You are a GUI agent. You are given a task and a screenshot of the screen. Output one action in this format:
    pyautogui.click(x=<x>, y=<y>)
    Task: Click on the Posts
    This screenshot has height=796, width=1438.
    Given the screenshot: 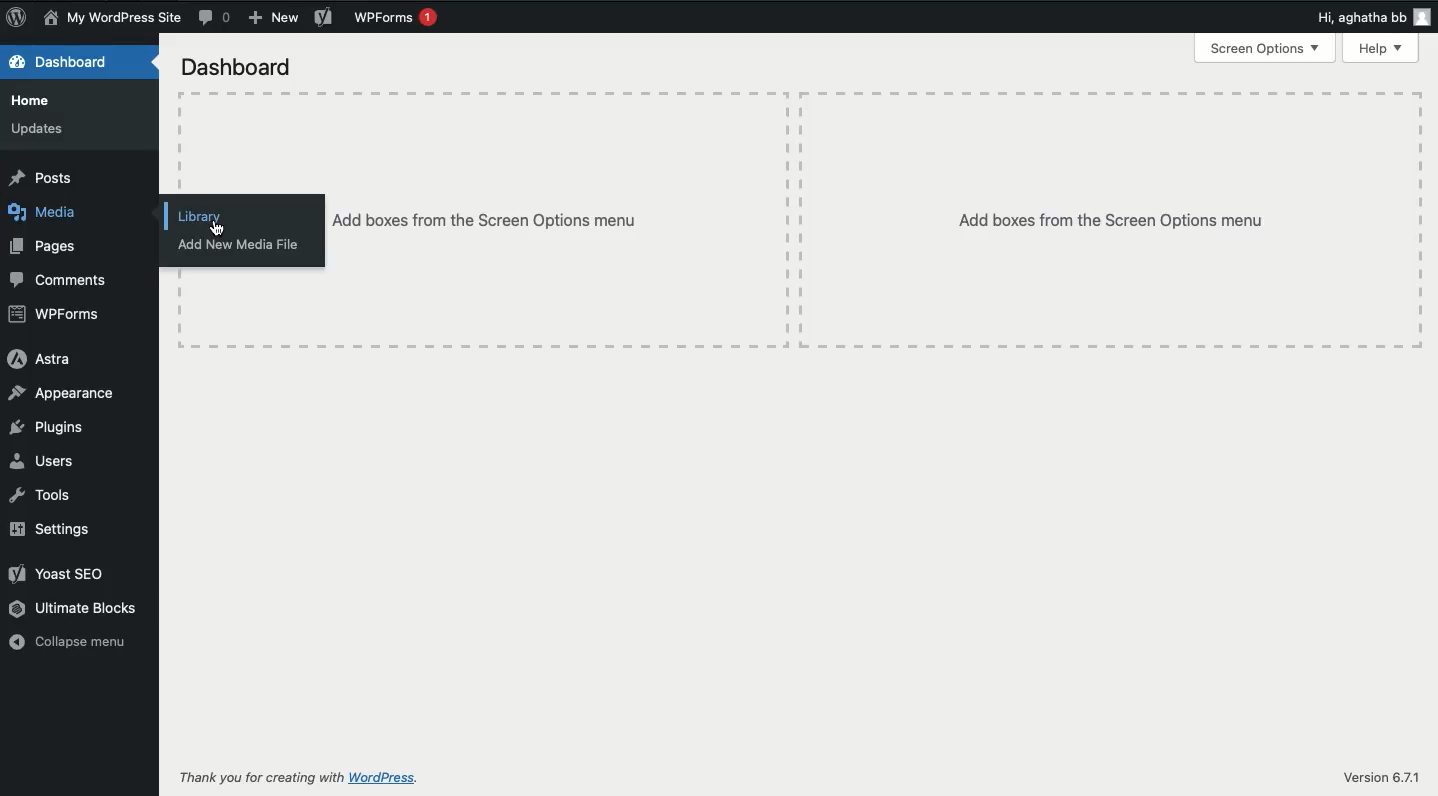 What is the action you would take?
    pyautogui.click(x=42, y=176)
    